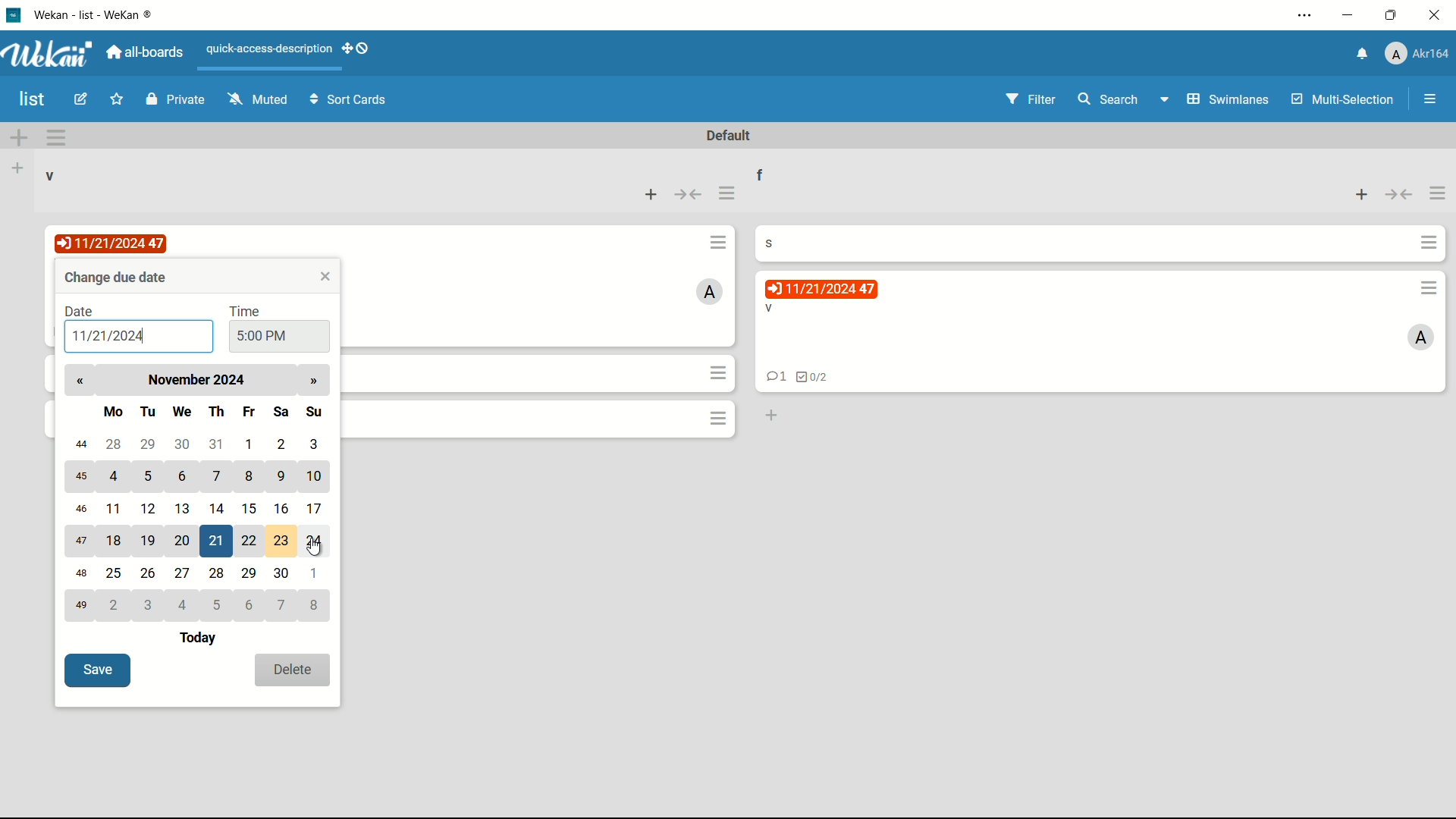  What do you see at coordinates (111, 444) in the screenshot?
I see `28` at bounding box center [111, 444].